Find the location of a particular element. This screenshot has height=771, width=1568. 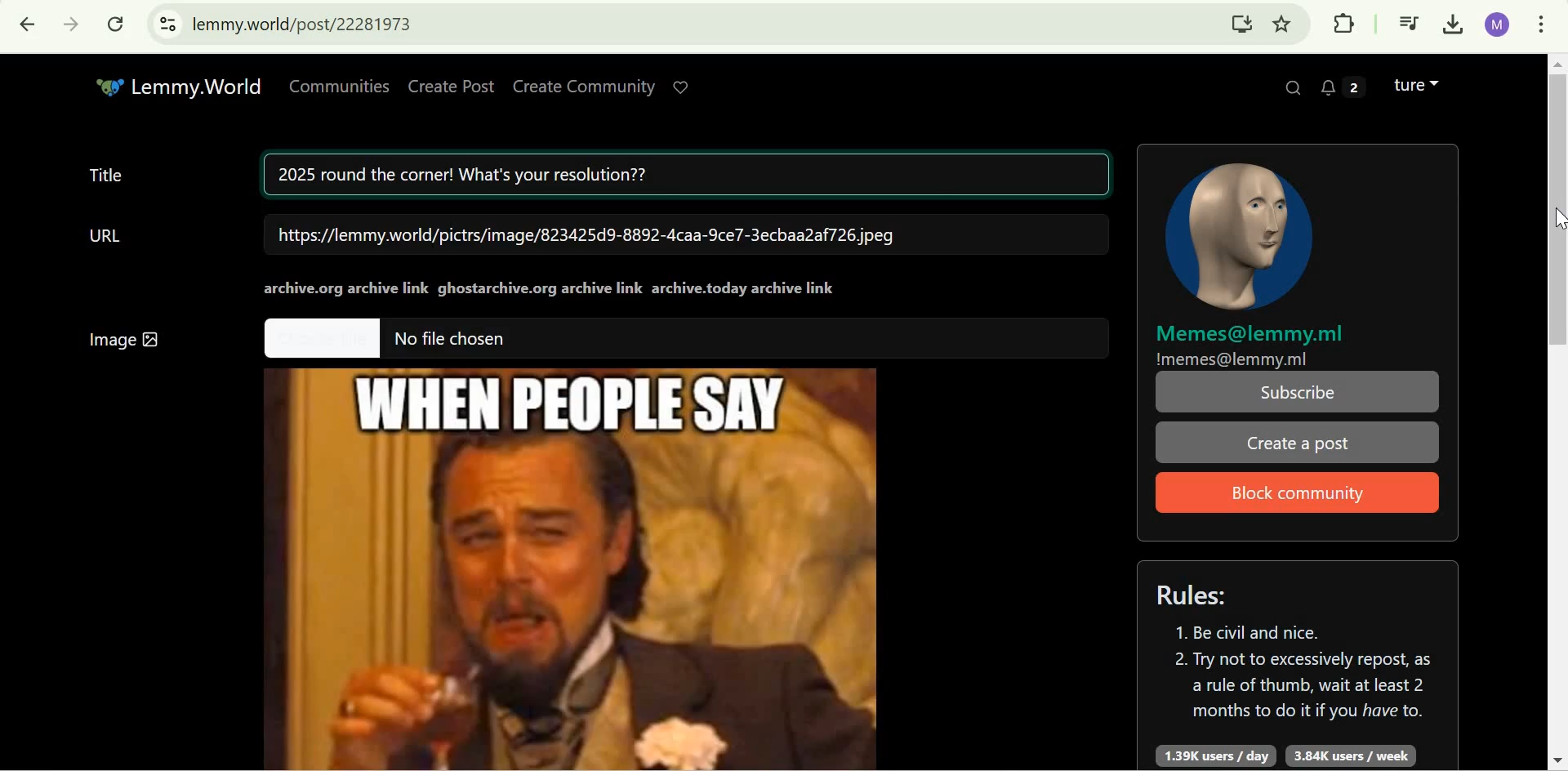

Click to go back, hold to see history is located at coordinates (29, 25).